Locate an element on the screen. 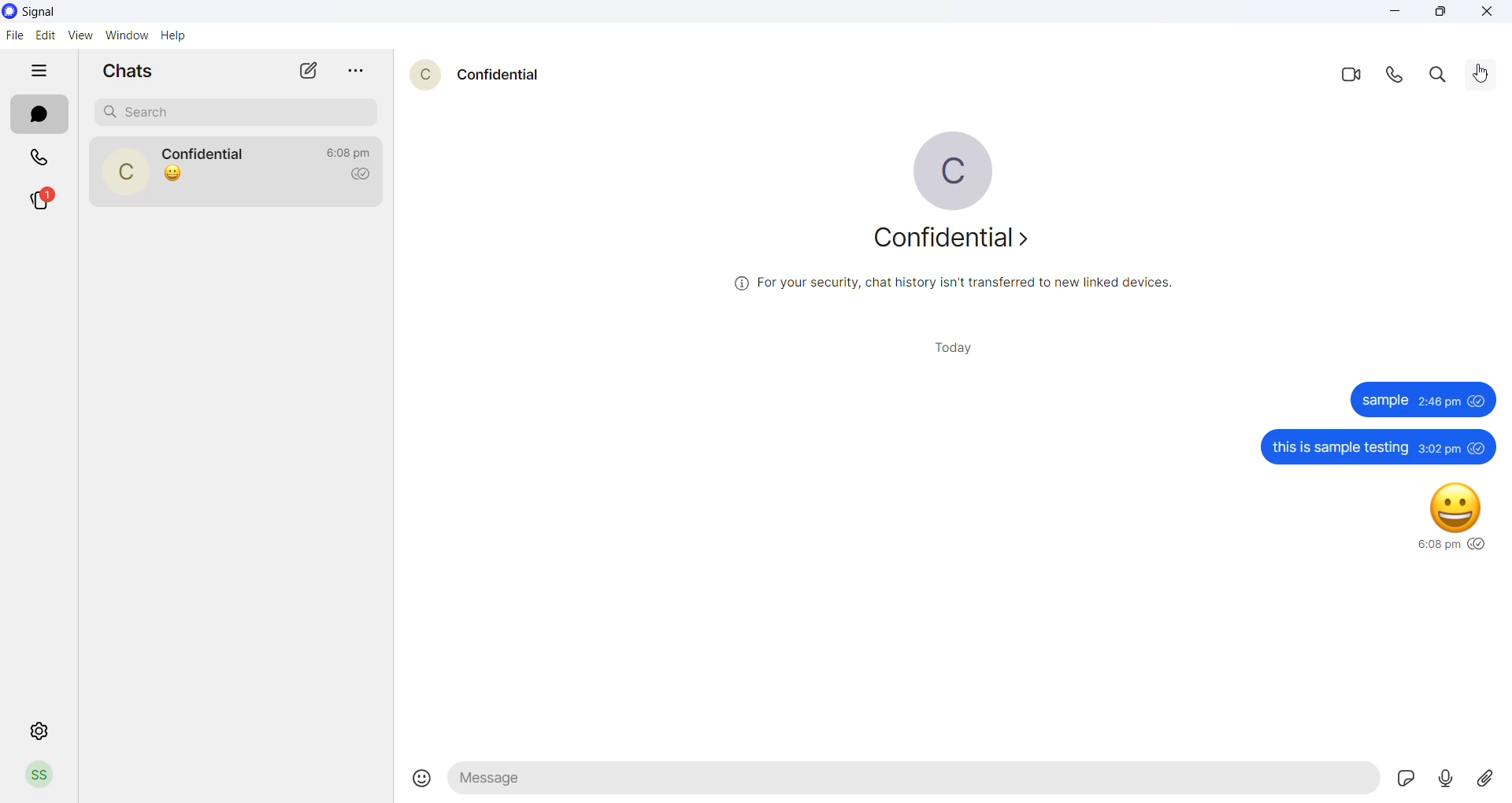  cursor is located at coordinates (229, 181).